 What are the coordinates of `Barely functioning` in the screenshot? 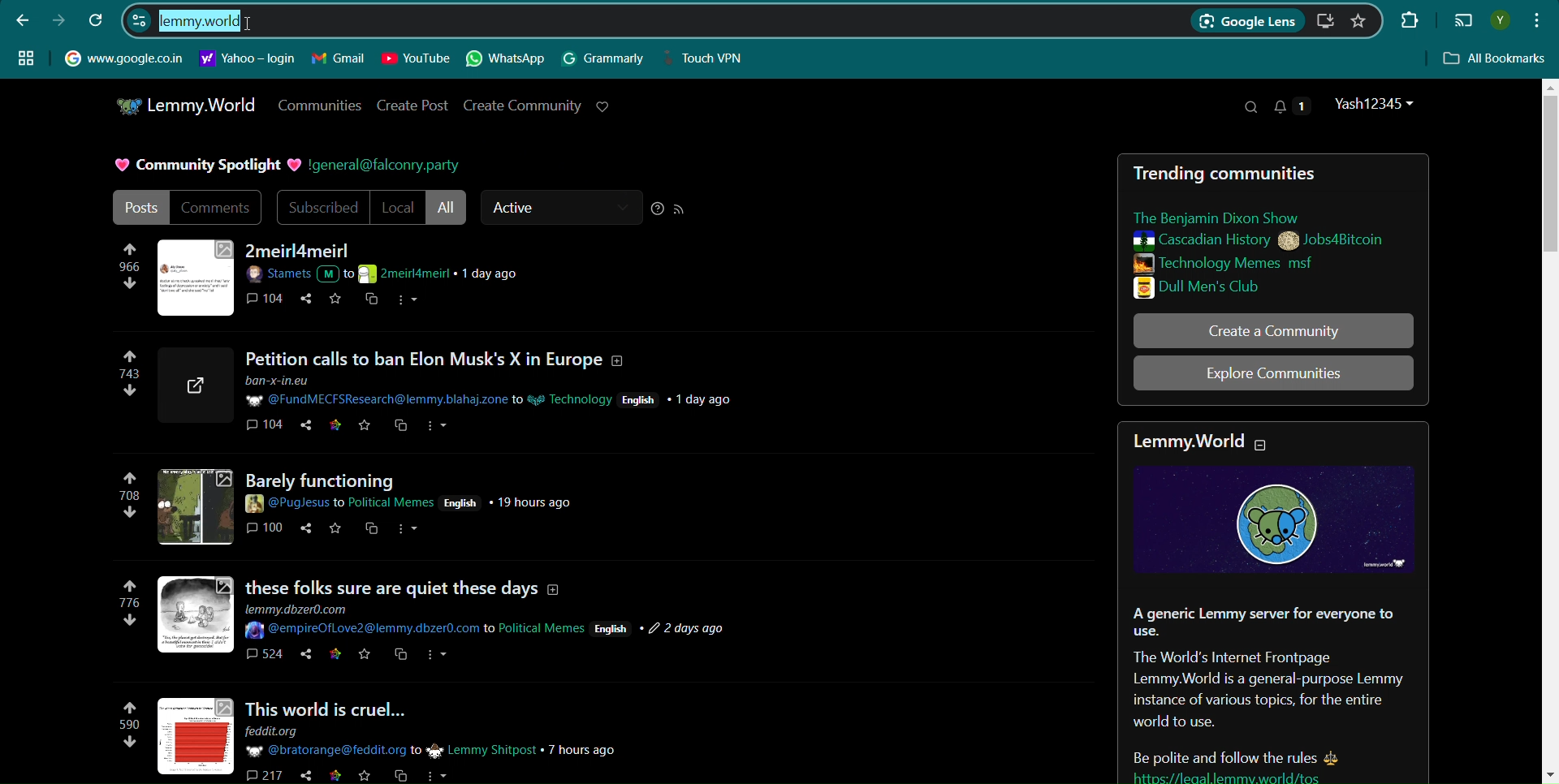 It's located at (348, 477).